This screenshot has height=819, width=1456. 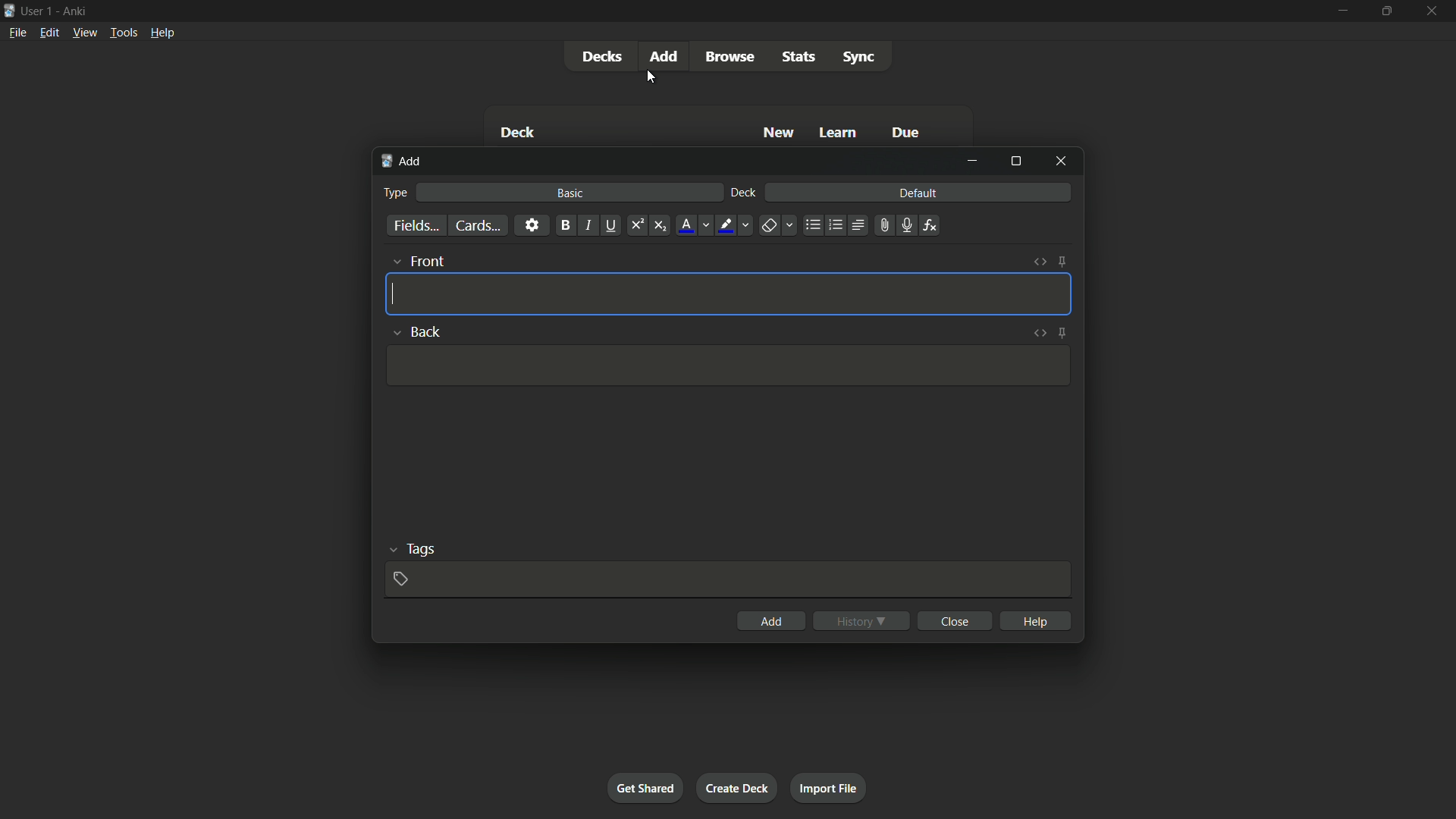 What do you see at coordinates (906, 134) in the screenshot?
I see `due` at bounding box center [906, 134].